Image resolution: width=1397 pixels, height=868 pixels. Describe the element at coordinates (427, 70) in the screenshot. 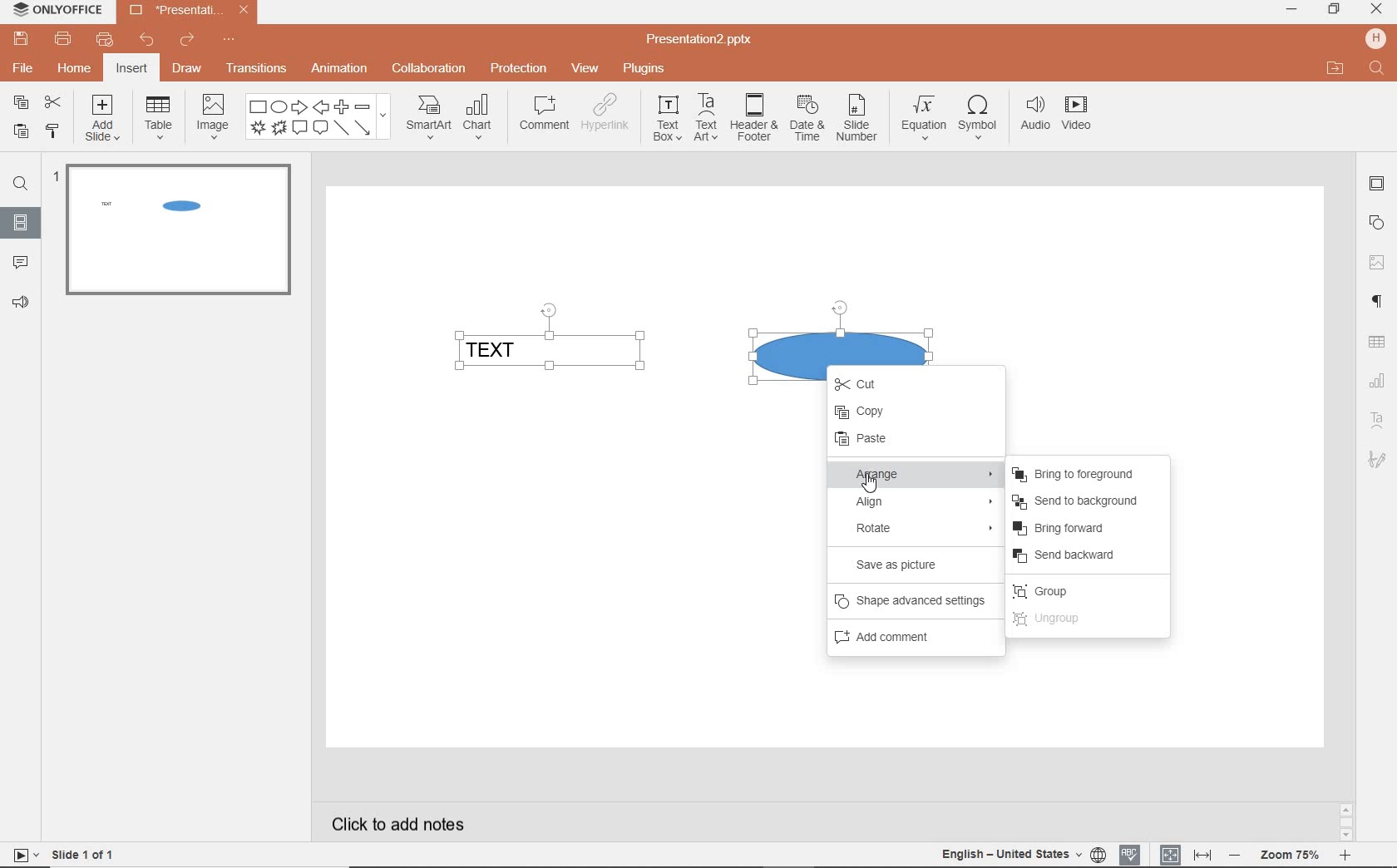

I see `collaboration` at that location.